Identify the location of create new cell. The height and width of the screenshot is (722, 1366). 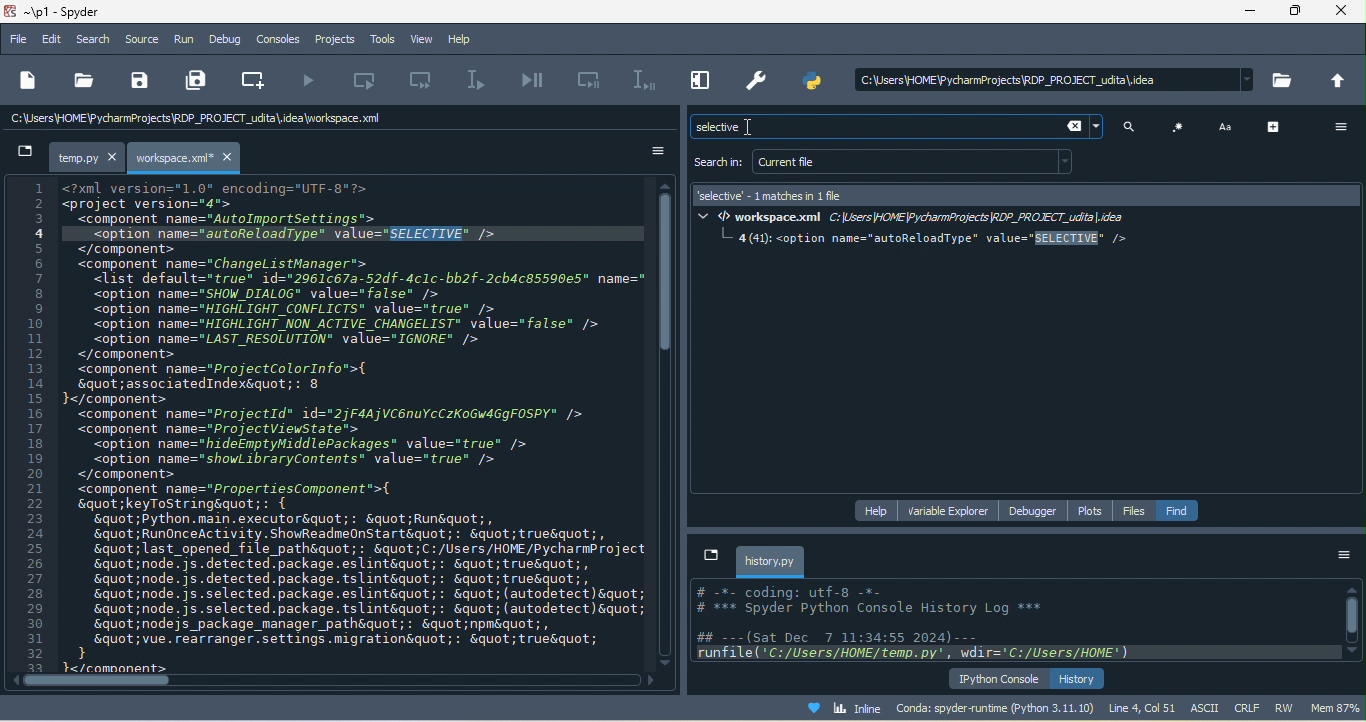
(258, 78).